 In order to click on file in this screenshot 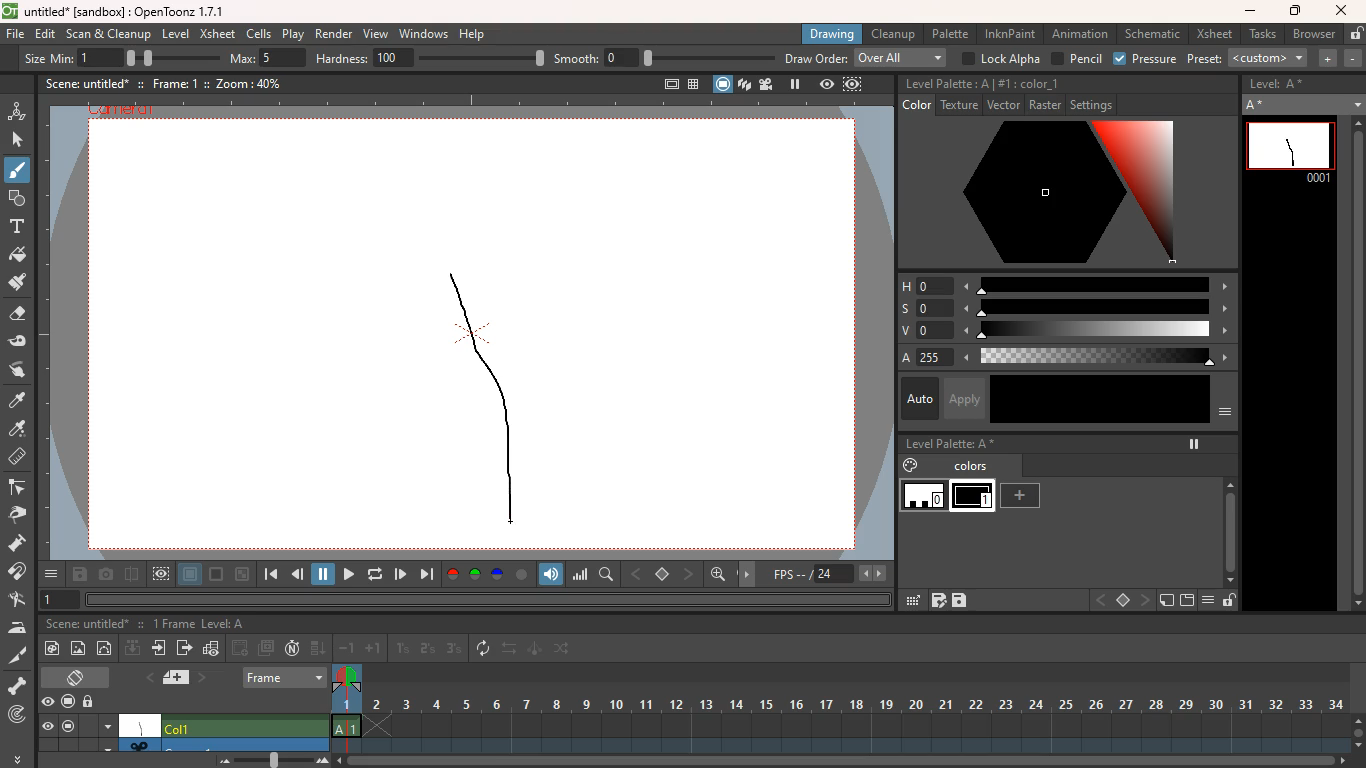, I will do `click(15, 36)`.